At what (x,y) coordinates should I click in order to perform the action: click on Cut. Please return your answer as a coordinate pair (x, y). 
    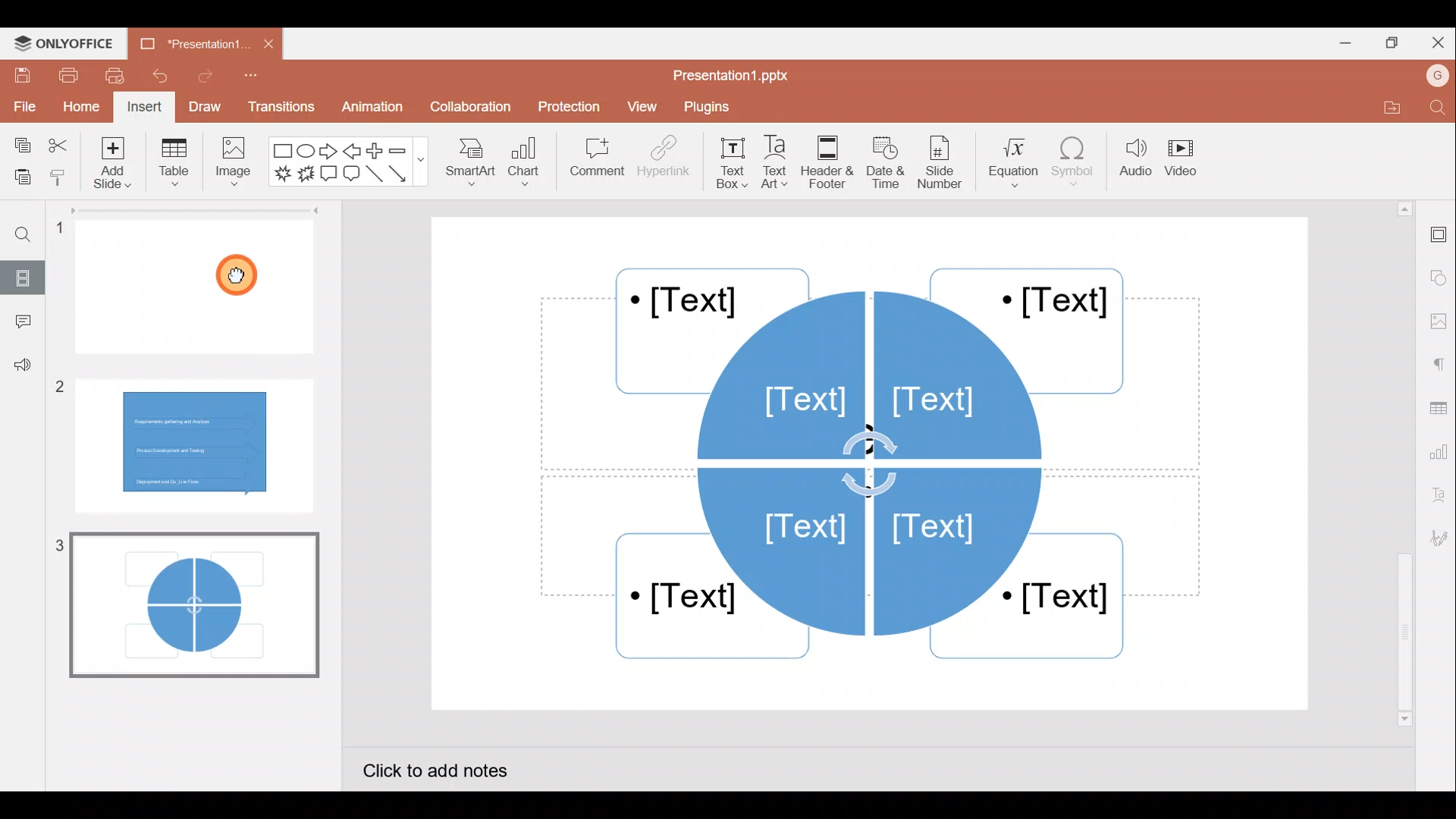
    Looking at the image, I should click on (58, 142).